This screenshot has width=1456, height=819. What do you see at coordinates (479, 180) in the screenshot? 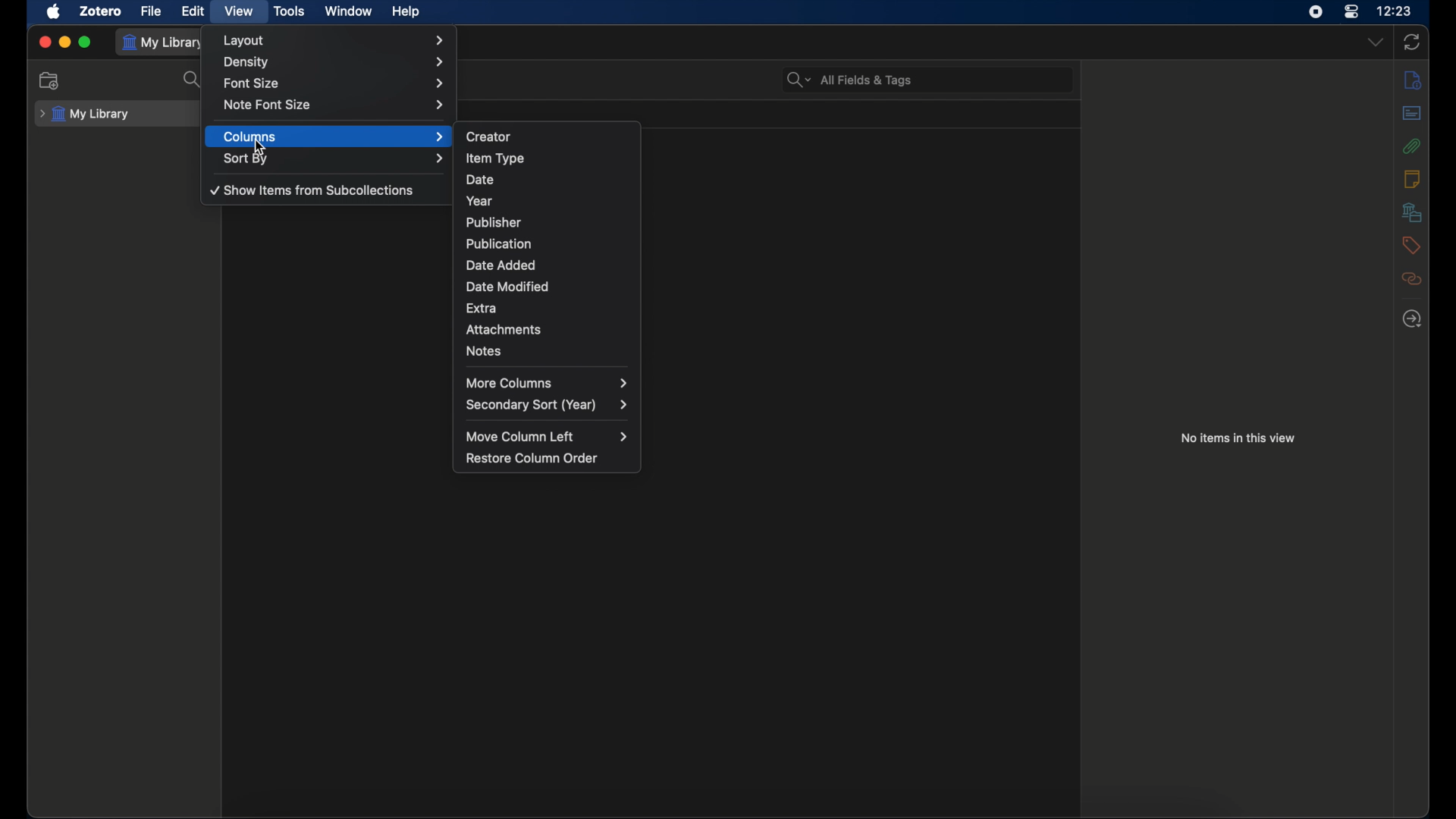
I see `date` at bounding box center [479, 180].